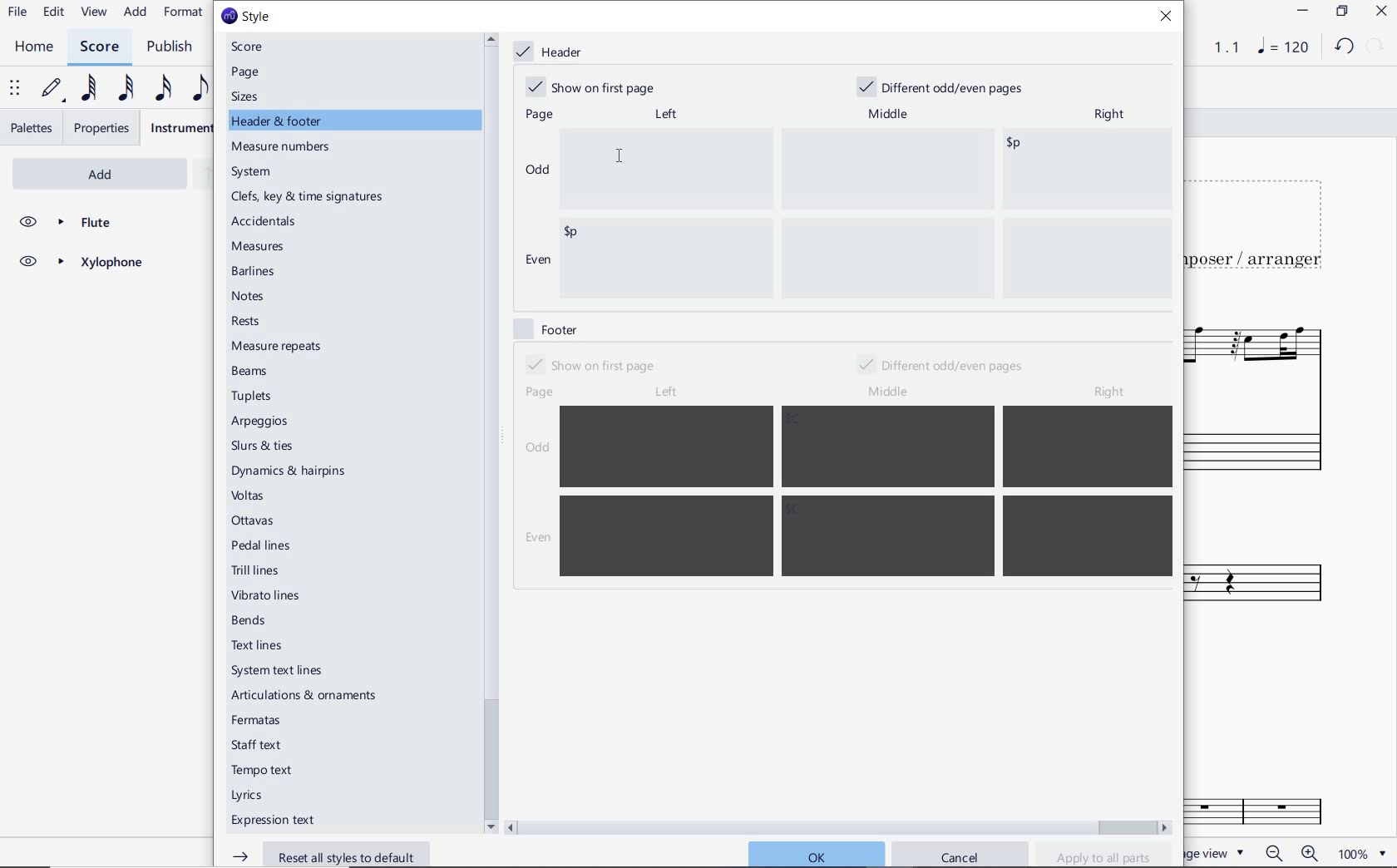 This screenshot has width=1397, height=868. Describe the element at coordinates (270, 596) in the screenshot. I see `vibrato lines` at that location.